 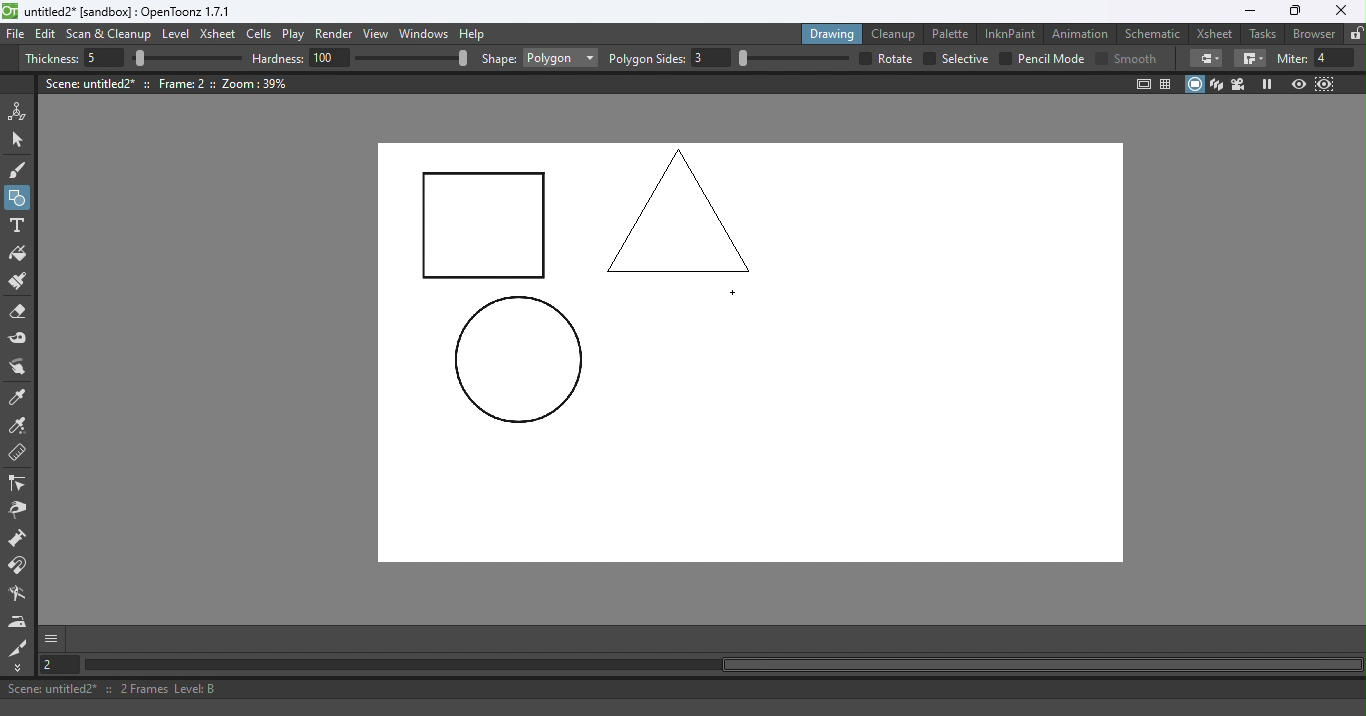 I want to click on Pencil mode, so click(x=1050, y=59).